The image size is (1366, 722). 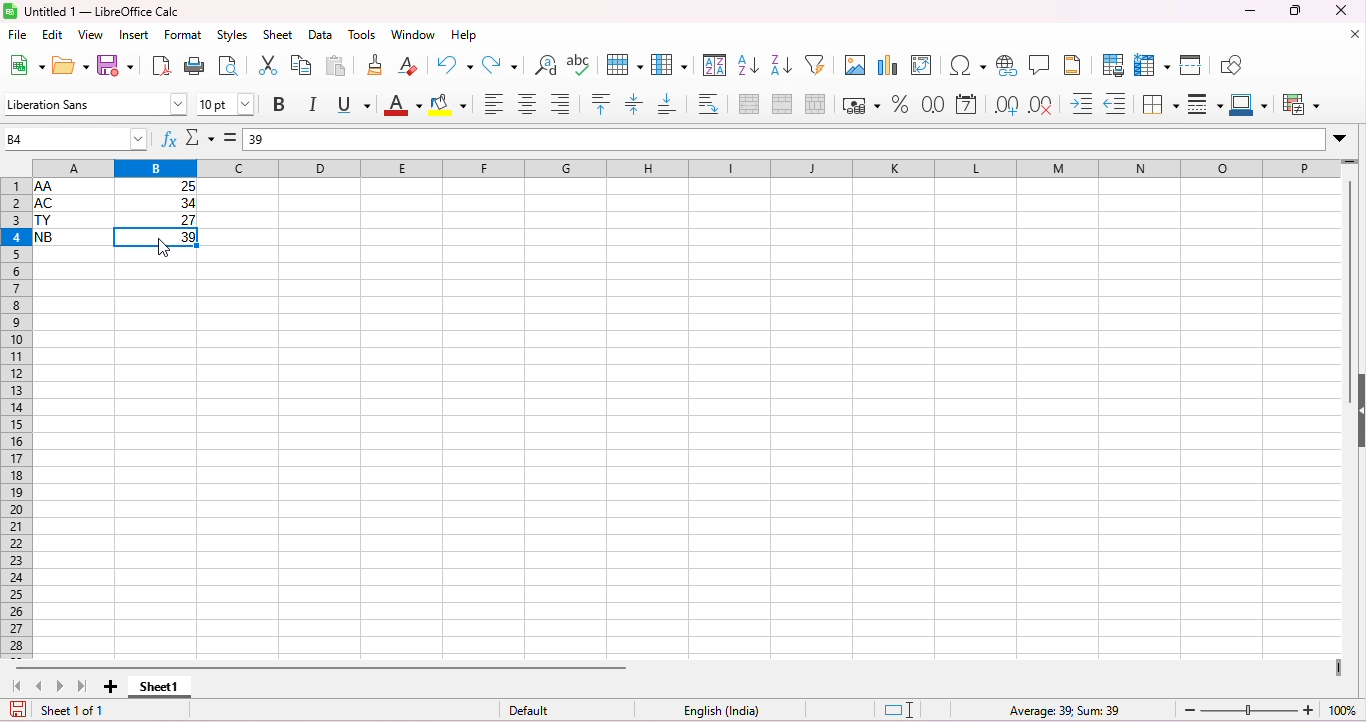 What do you see at coordinates (18, 710) in the screenshot?
I see `save` at bounding box center [18, 710].